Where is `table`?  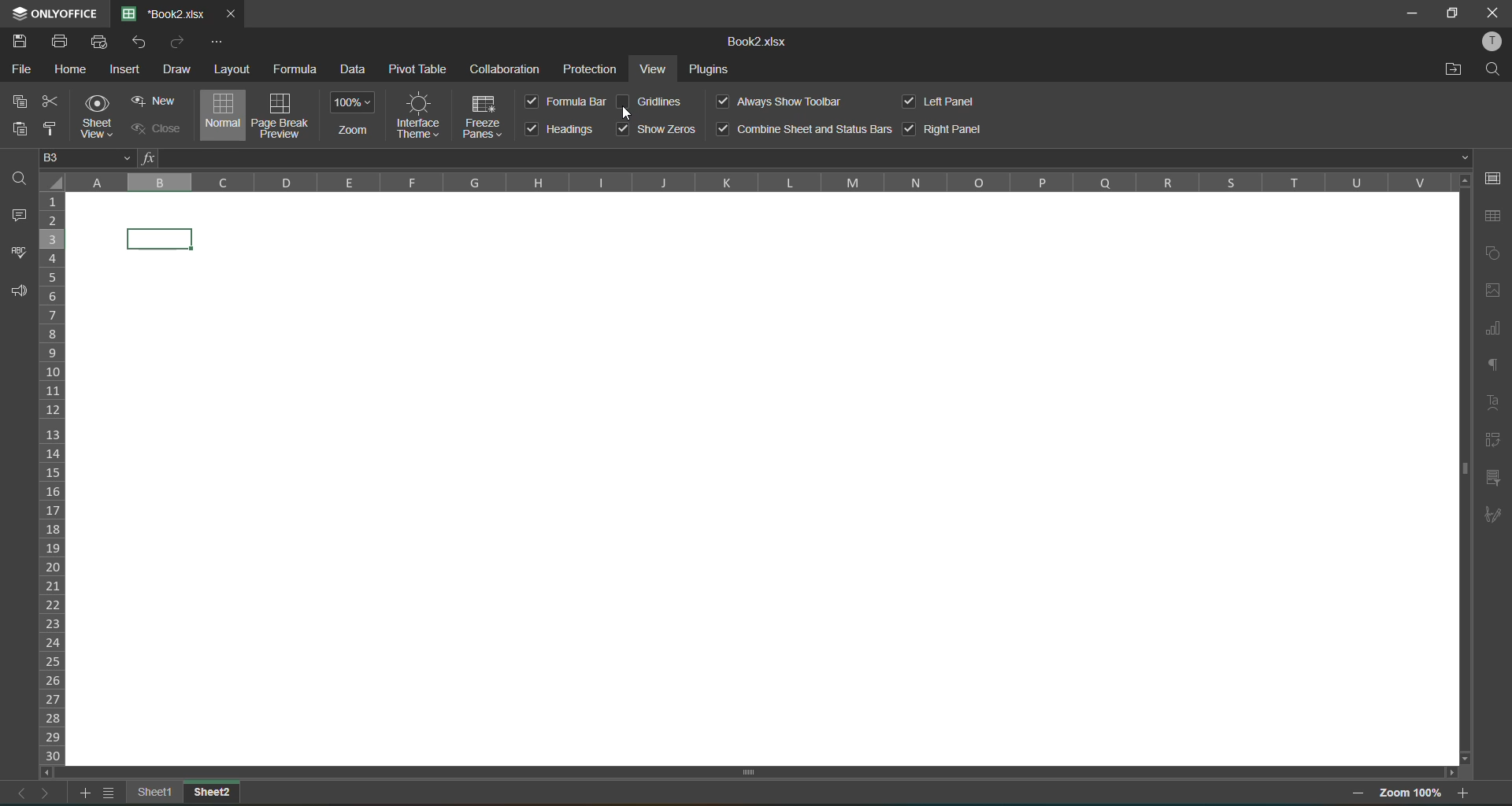
table is located at coordinates (1492, 217).